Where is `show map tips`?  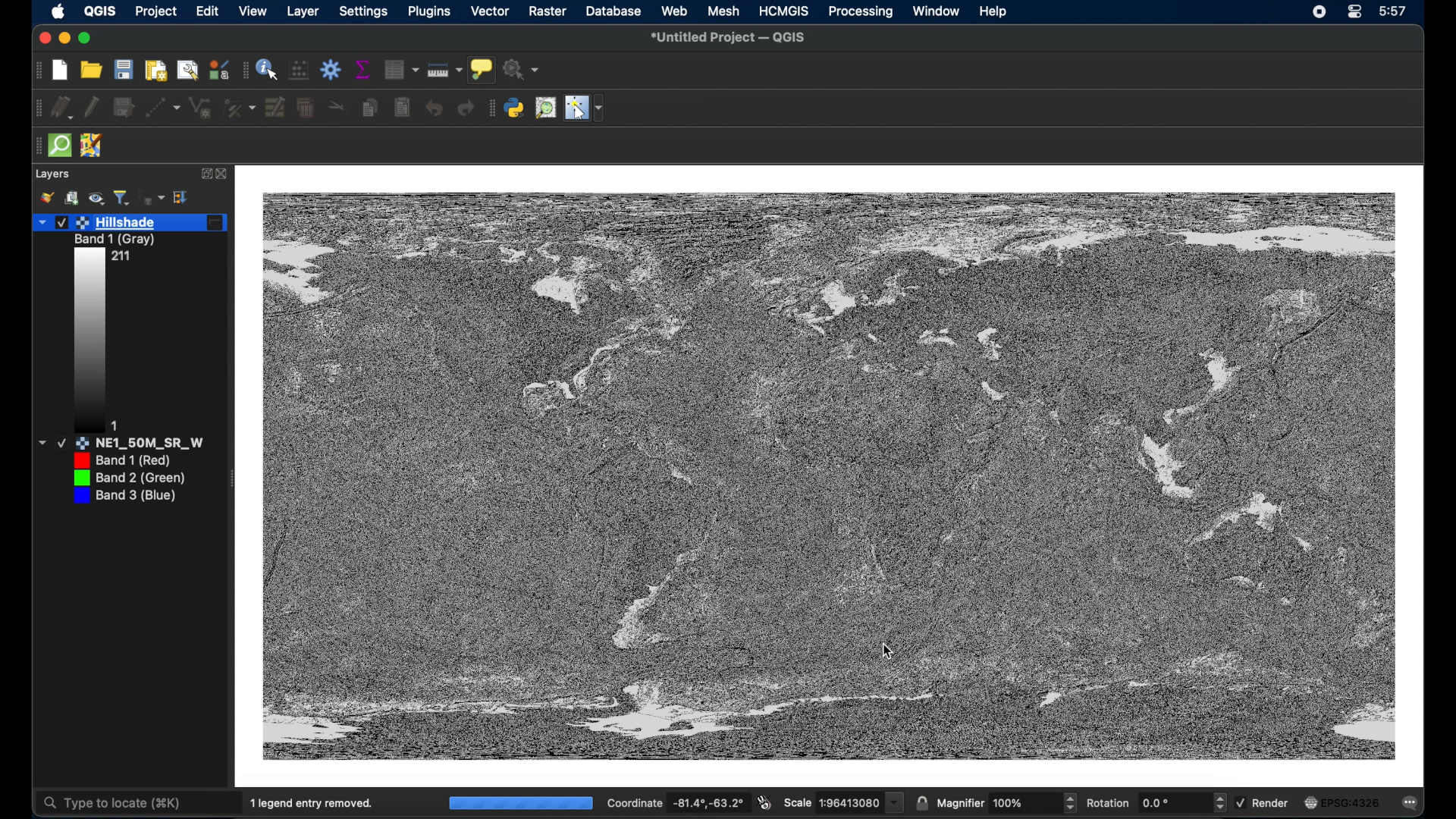 show map tips is located at coordinates (482, 69).